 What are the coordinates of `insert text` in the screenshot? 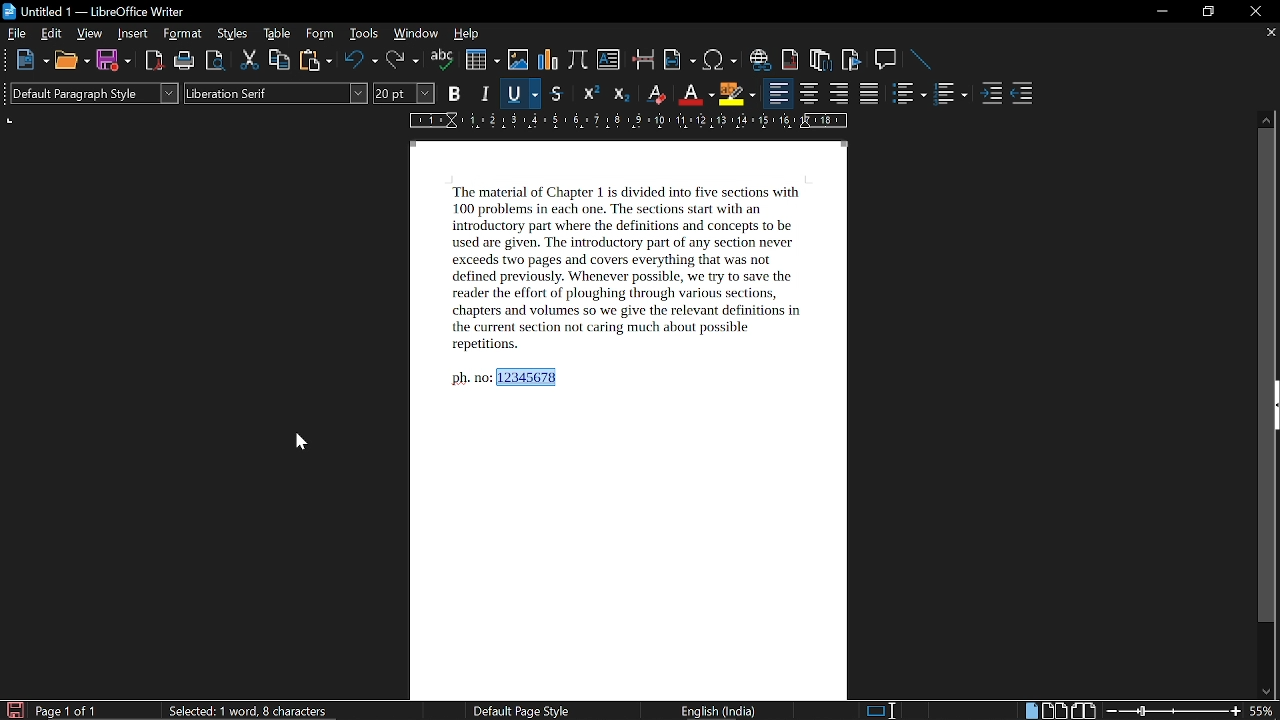 It's located at (610, 59).